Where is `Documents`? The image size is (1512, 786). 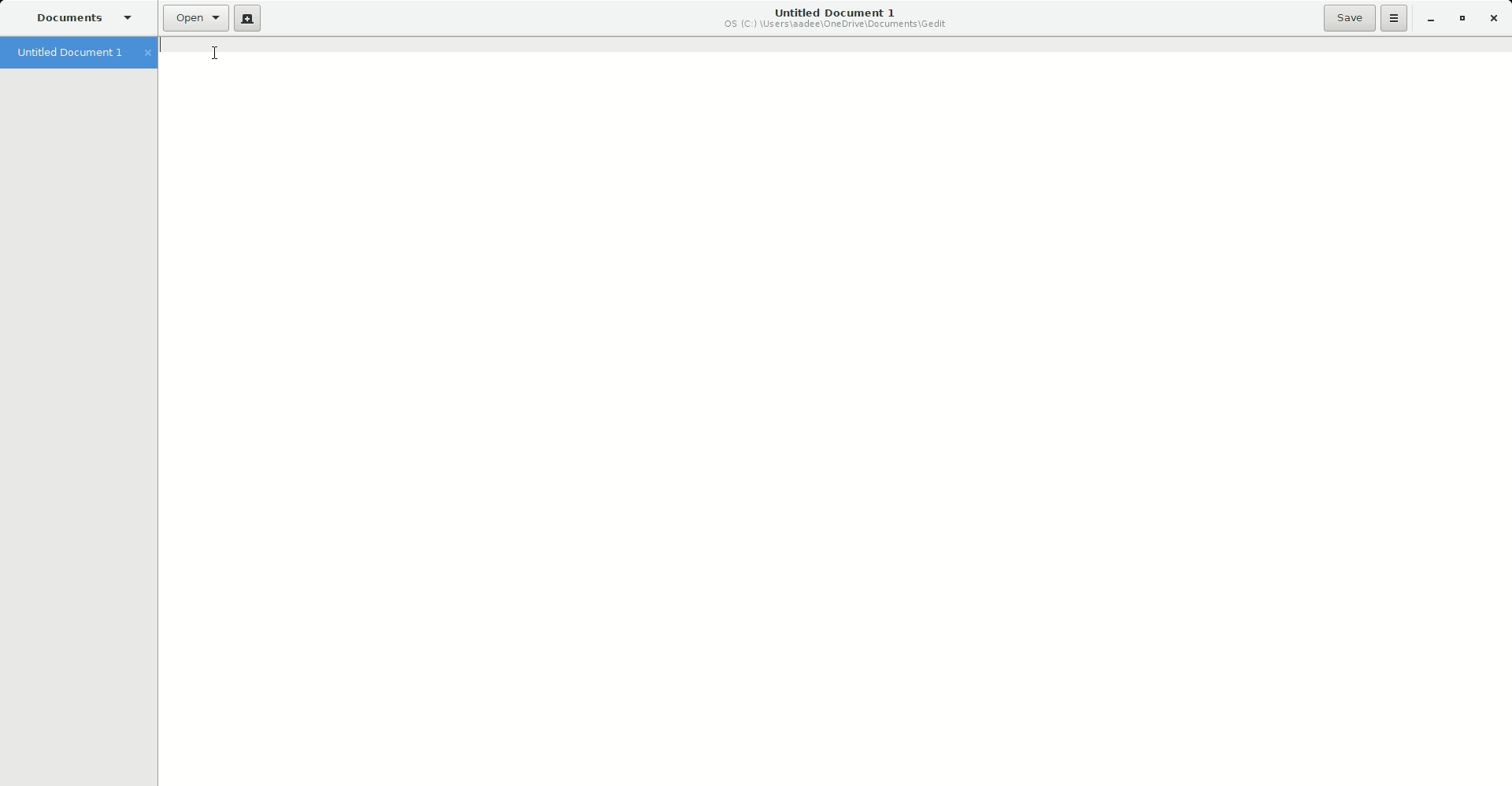
Documents is located at coordinates (81, 19).